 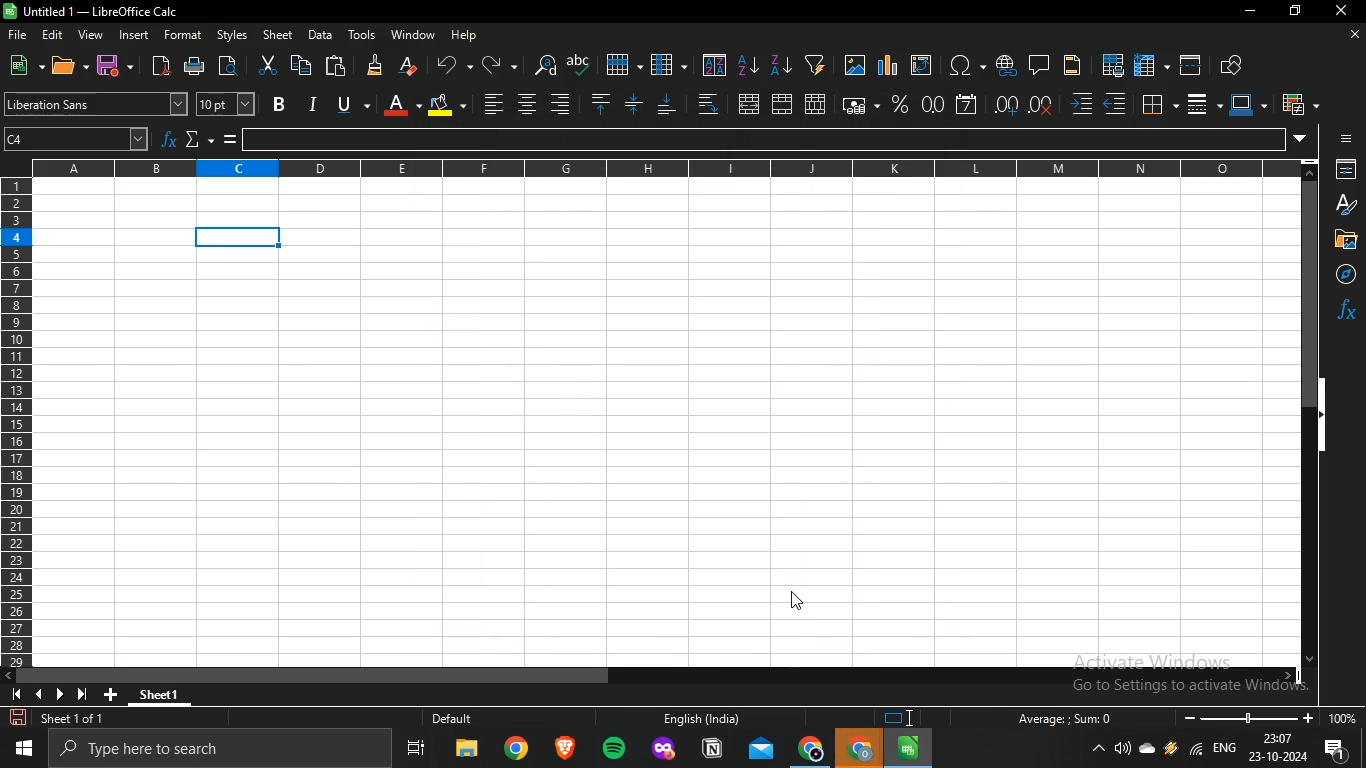 I want to click on view, so click(x=90, y=35).